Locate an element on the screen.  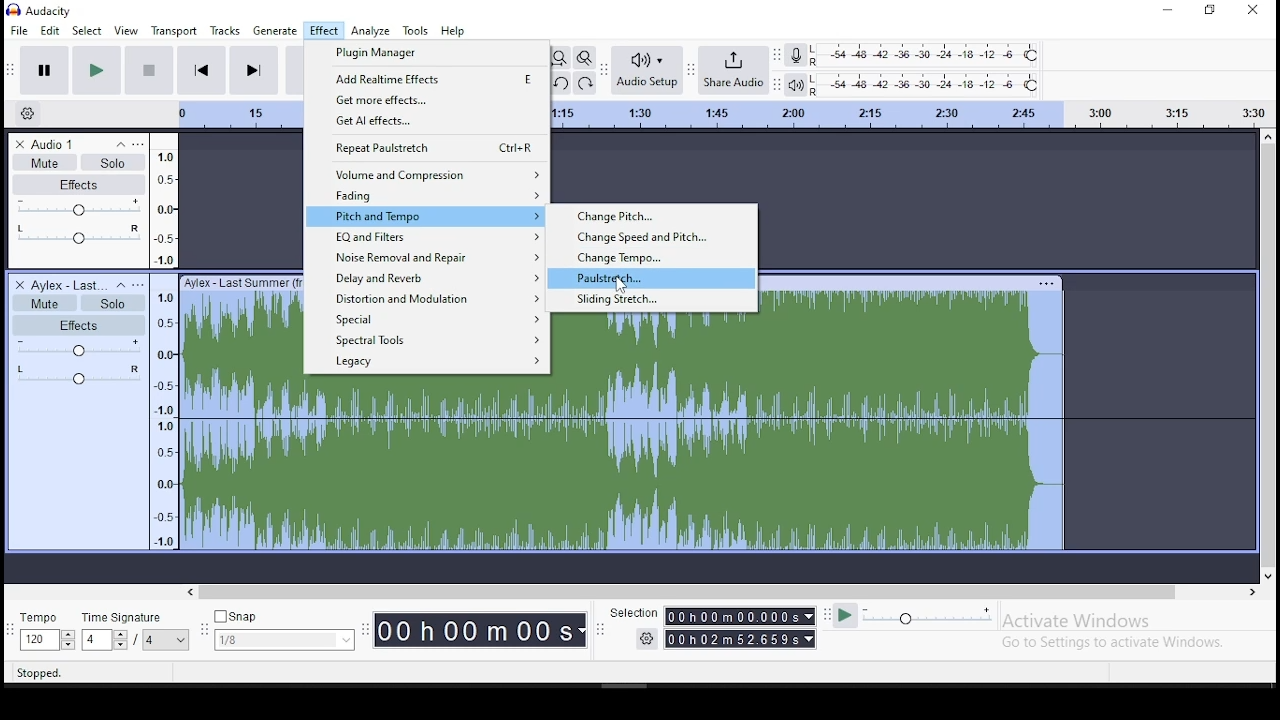
time signature is located at coordinates (137, 632).